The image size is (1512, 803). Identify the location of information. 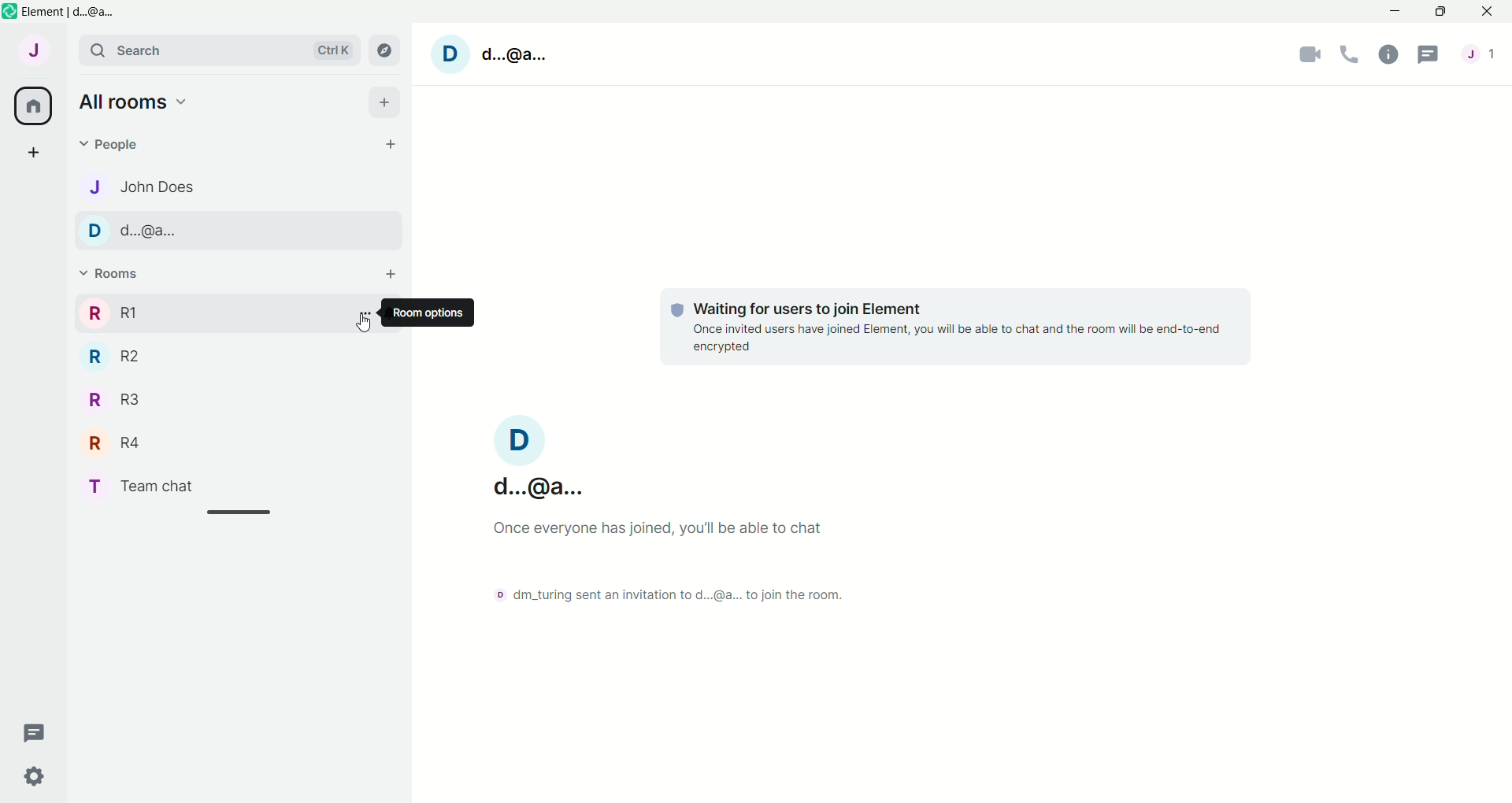
(1392, 56).